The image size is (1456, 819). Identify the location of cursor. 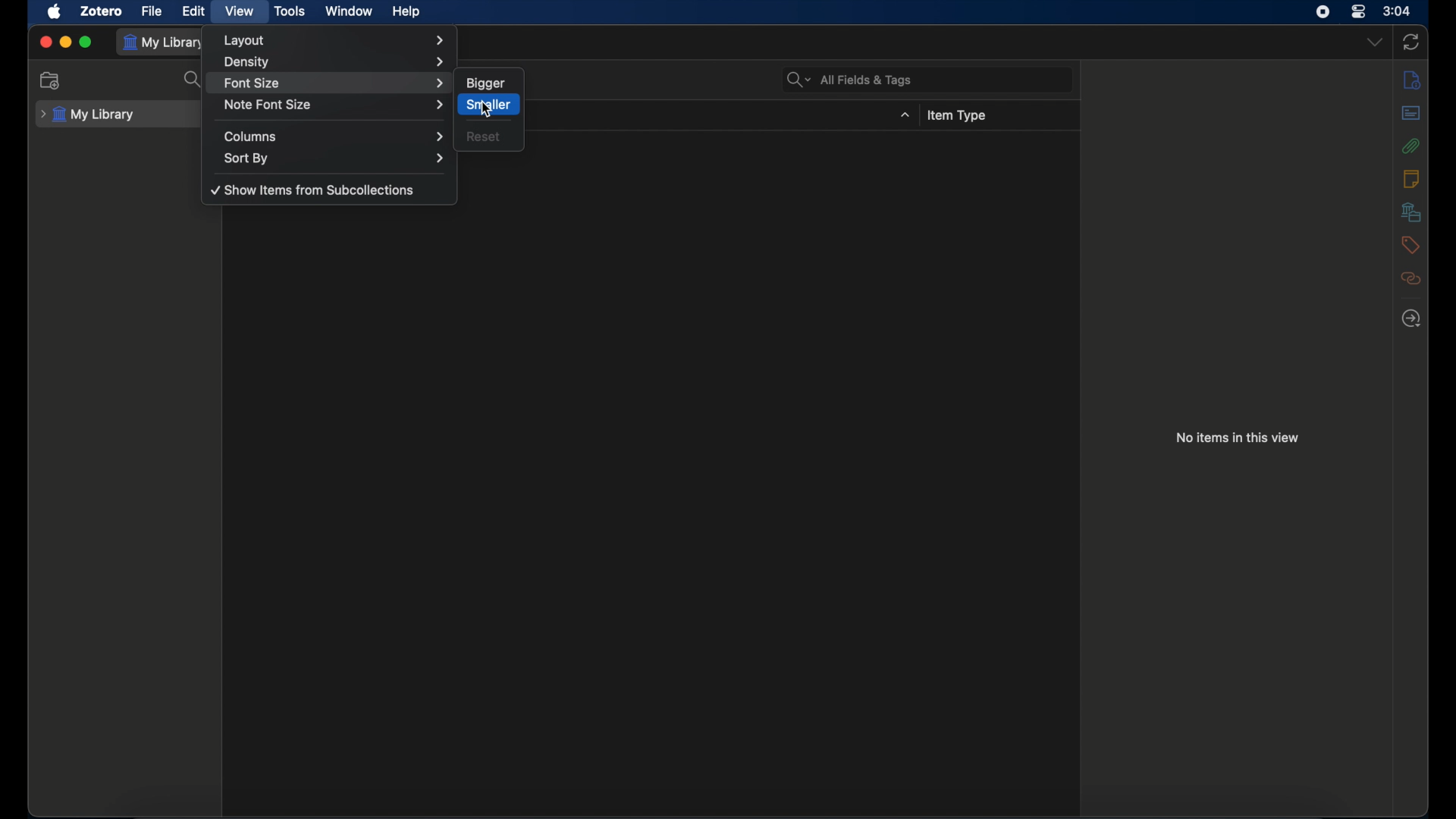
(488, 108).